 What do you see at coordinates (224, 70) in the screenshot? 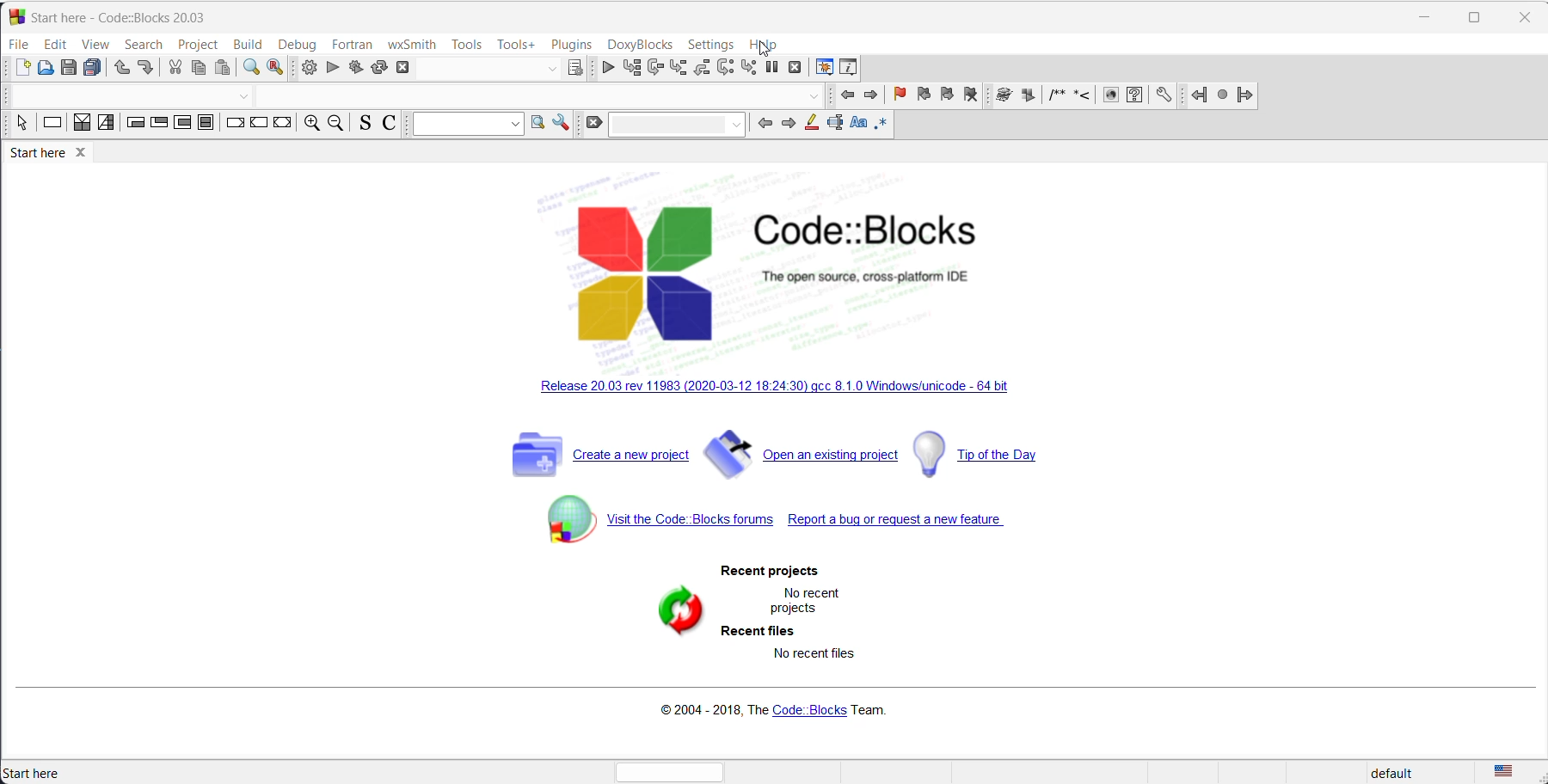
I see `paste` at bounding box center [224, 70].